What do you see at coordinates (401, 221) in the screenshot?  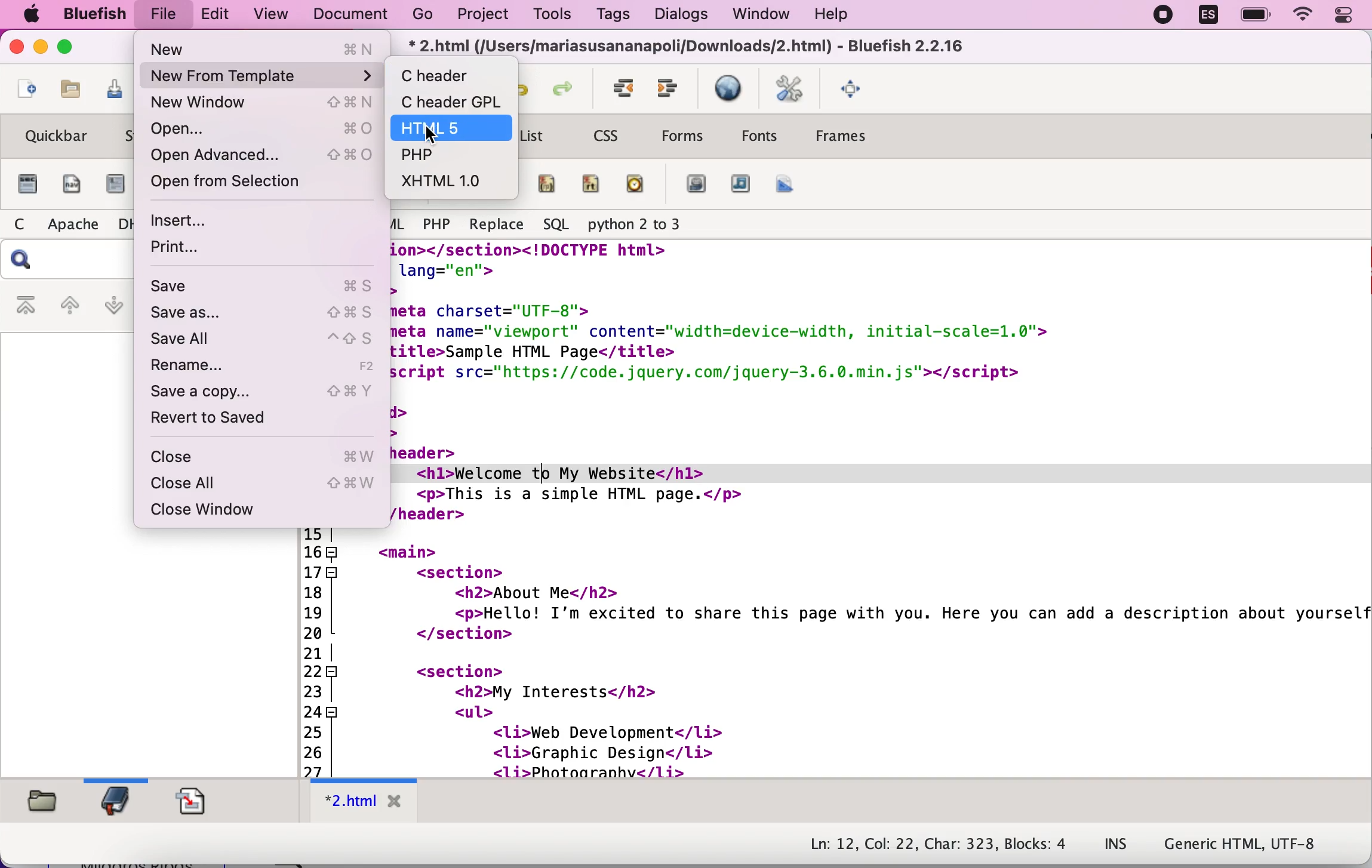 I see `HTML` at bounding box center [401, 221].